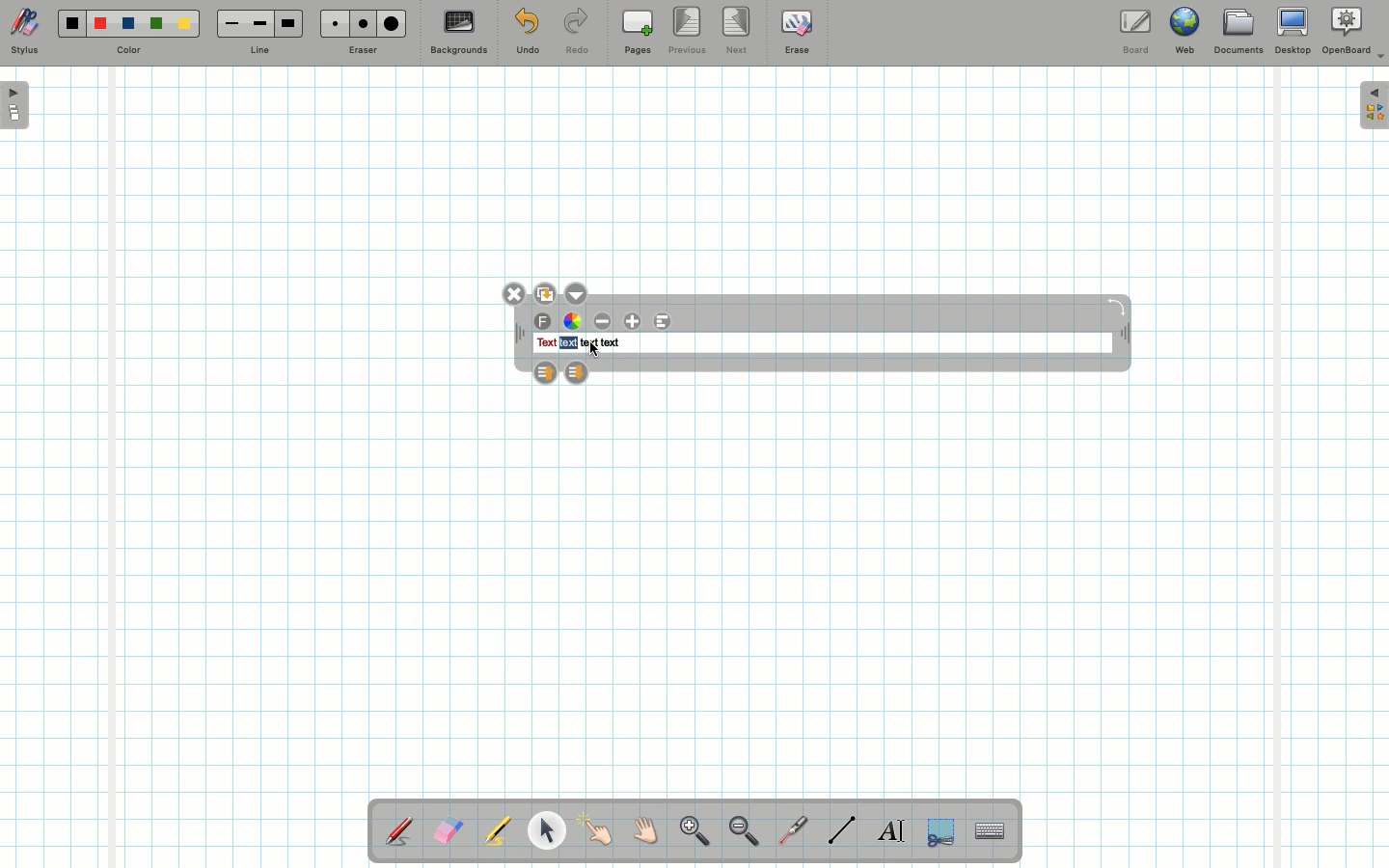 This screenshot has width=1389, height=868. I want to click on Laser pointer, so click(789, 831).